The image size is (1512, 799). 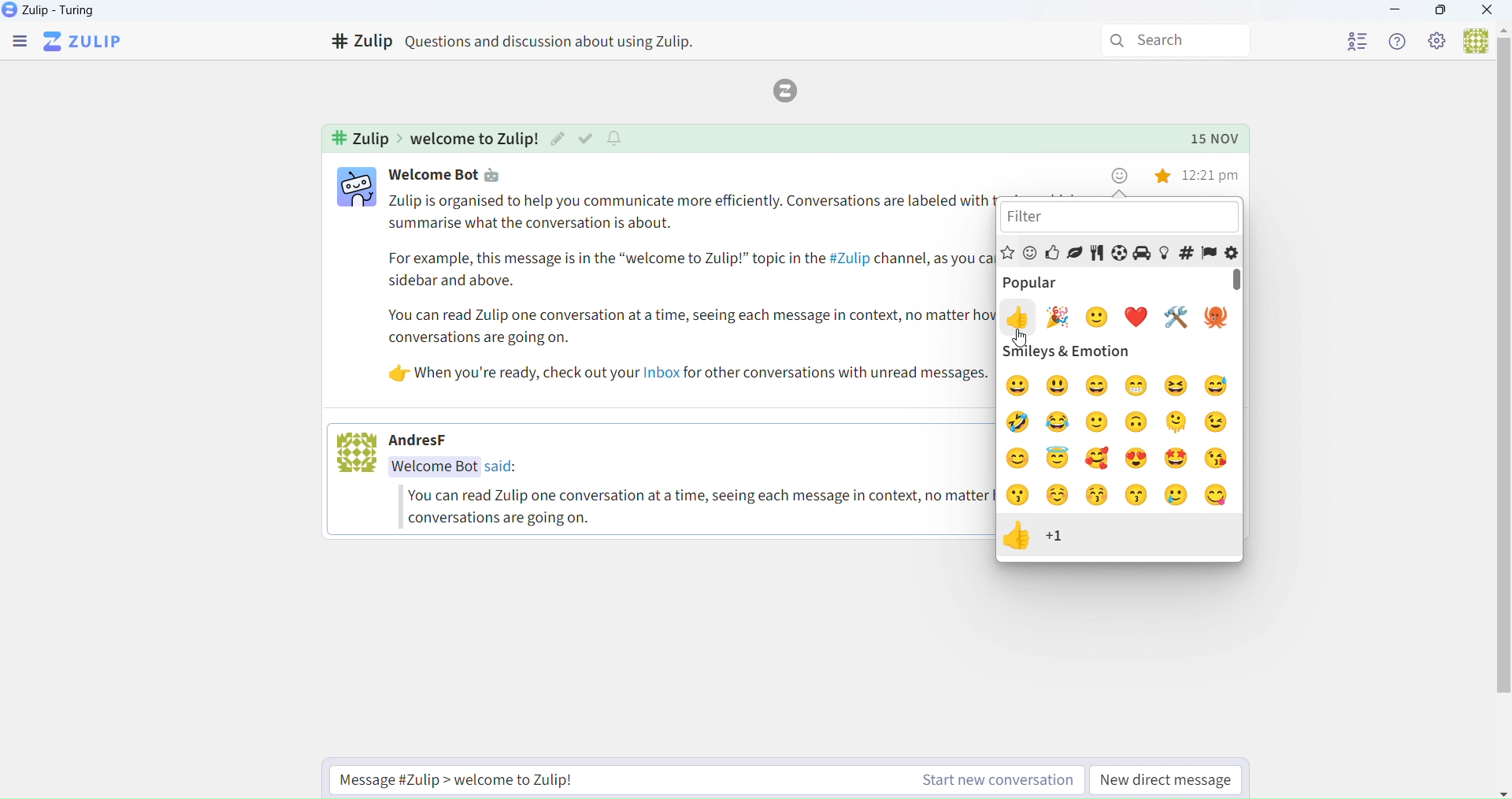 What do you see at coordinates (17, 40) in the screenshot?
I see `Menu Bar` at bounding box center [17, 40].